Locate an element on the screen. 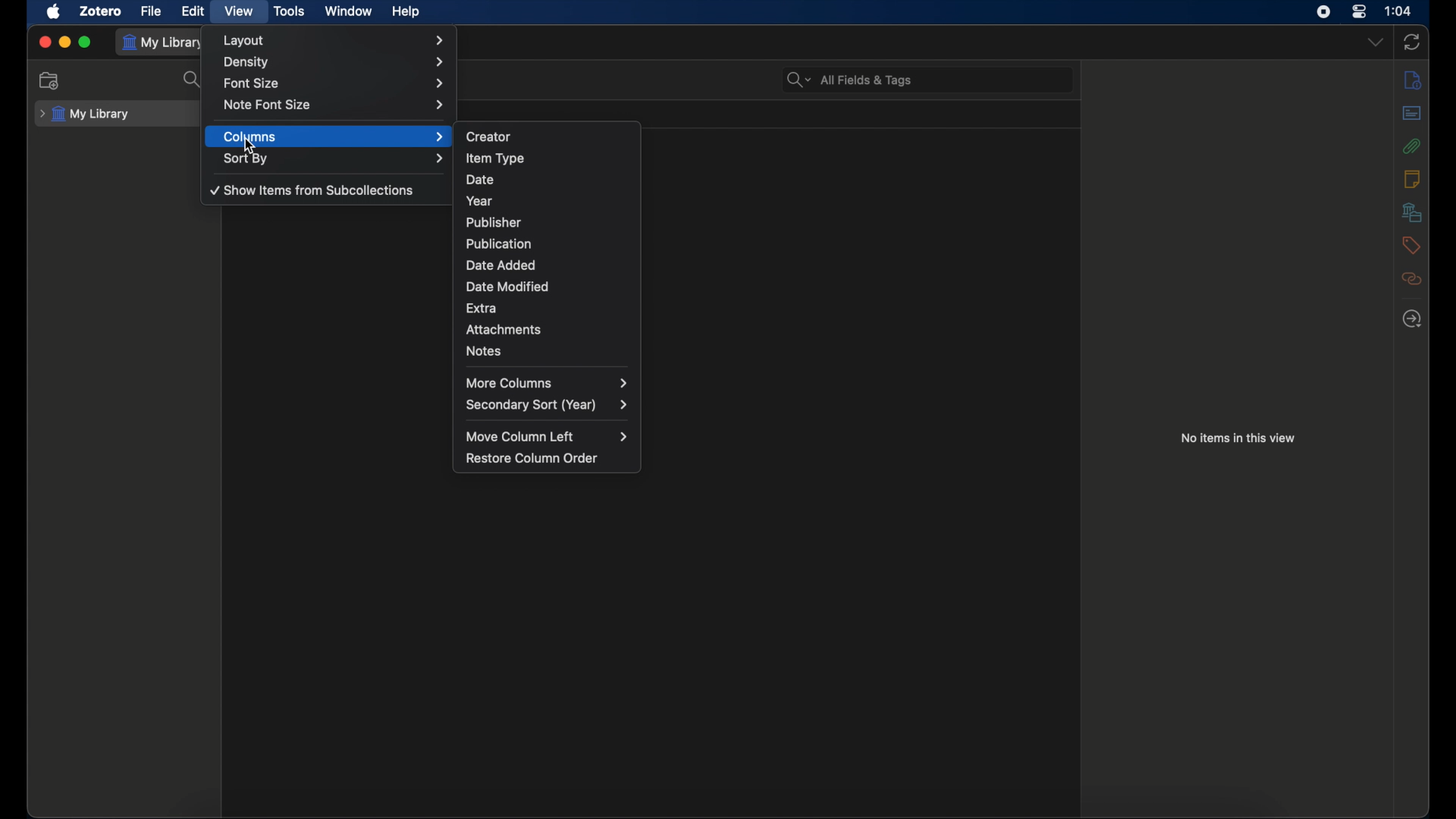  tags is located at coordinates (1412, 246).